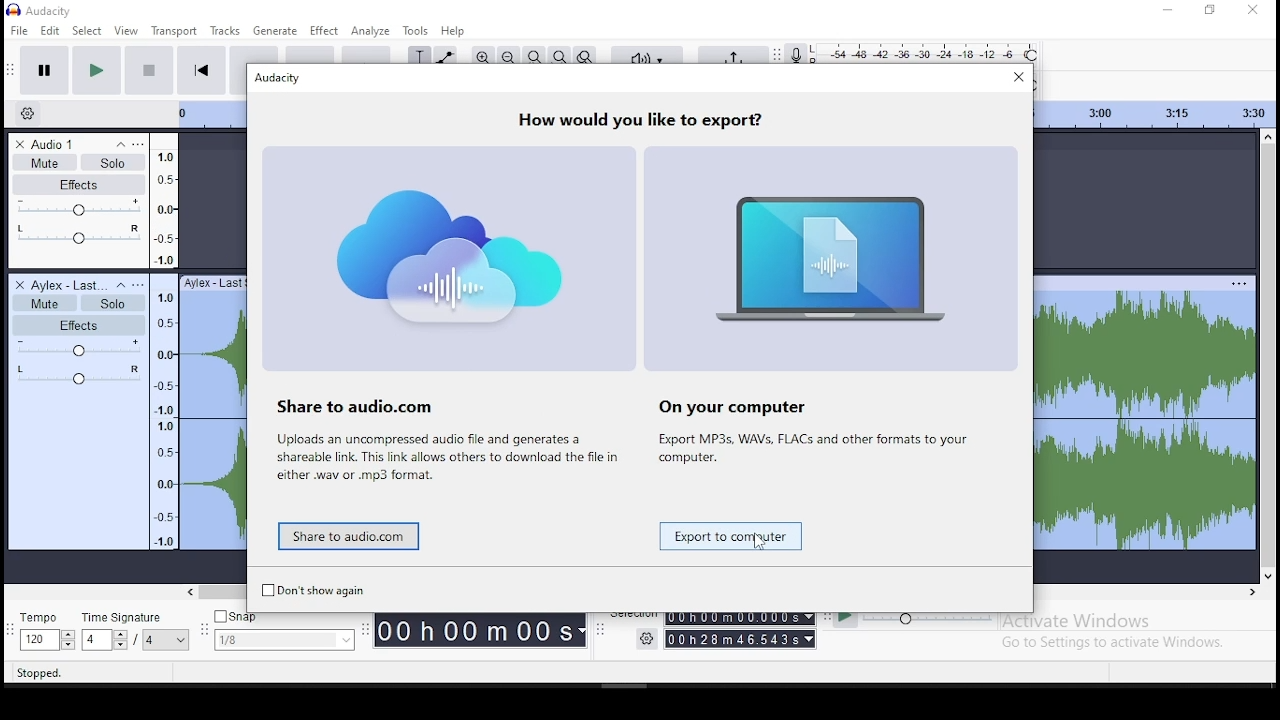 The width and height of the screenshot is (1280, 720). I want to click on recording level, so click(925, 53).